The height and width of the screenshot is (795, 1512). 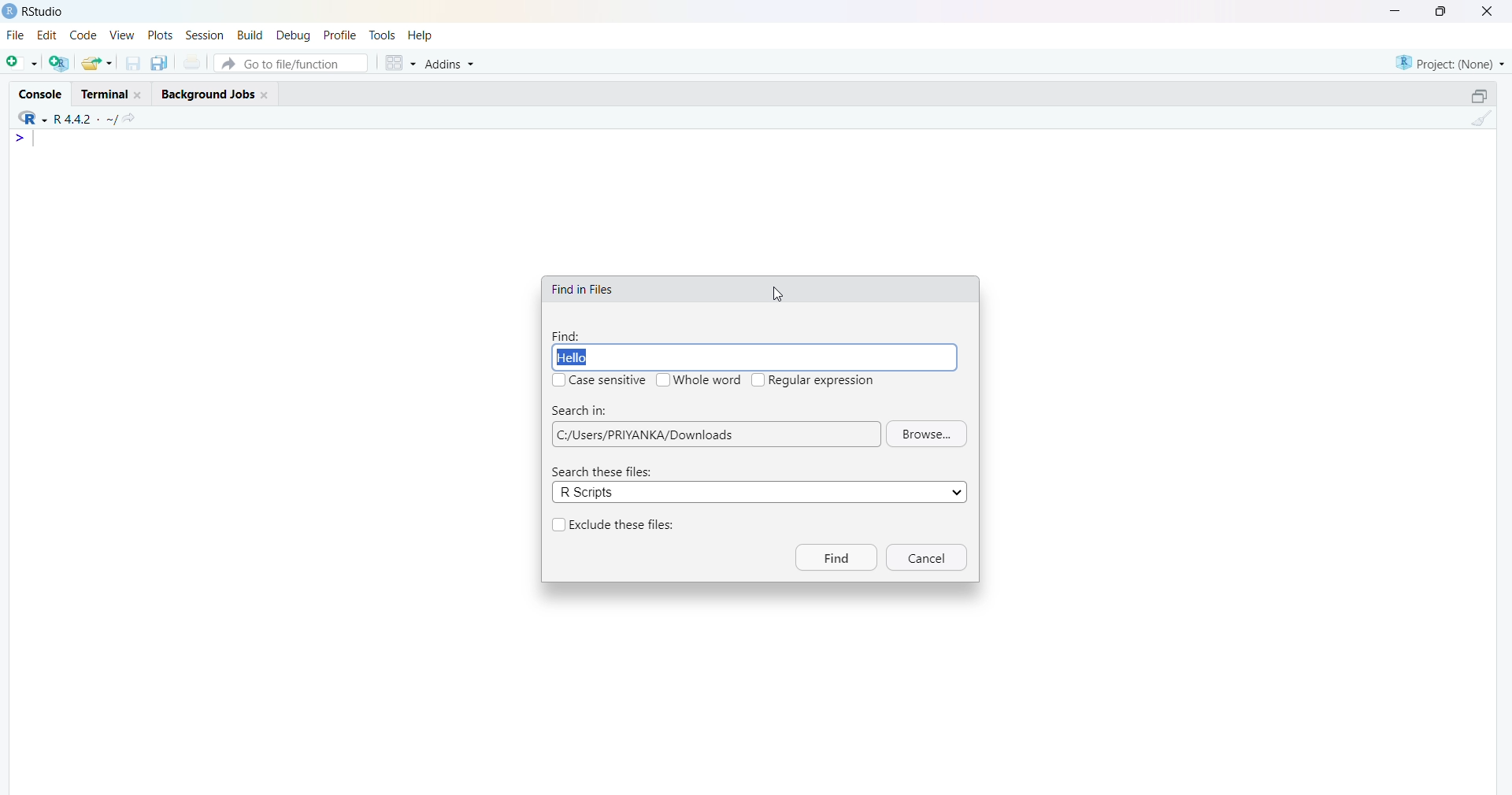 What do you see at coordinates (838, 557) in the screenshot?
I see `Find` at bounding box center [838, 557].